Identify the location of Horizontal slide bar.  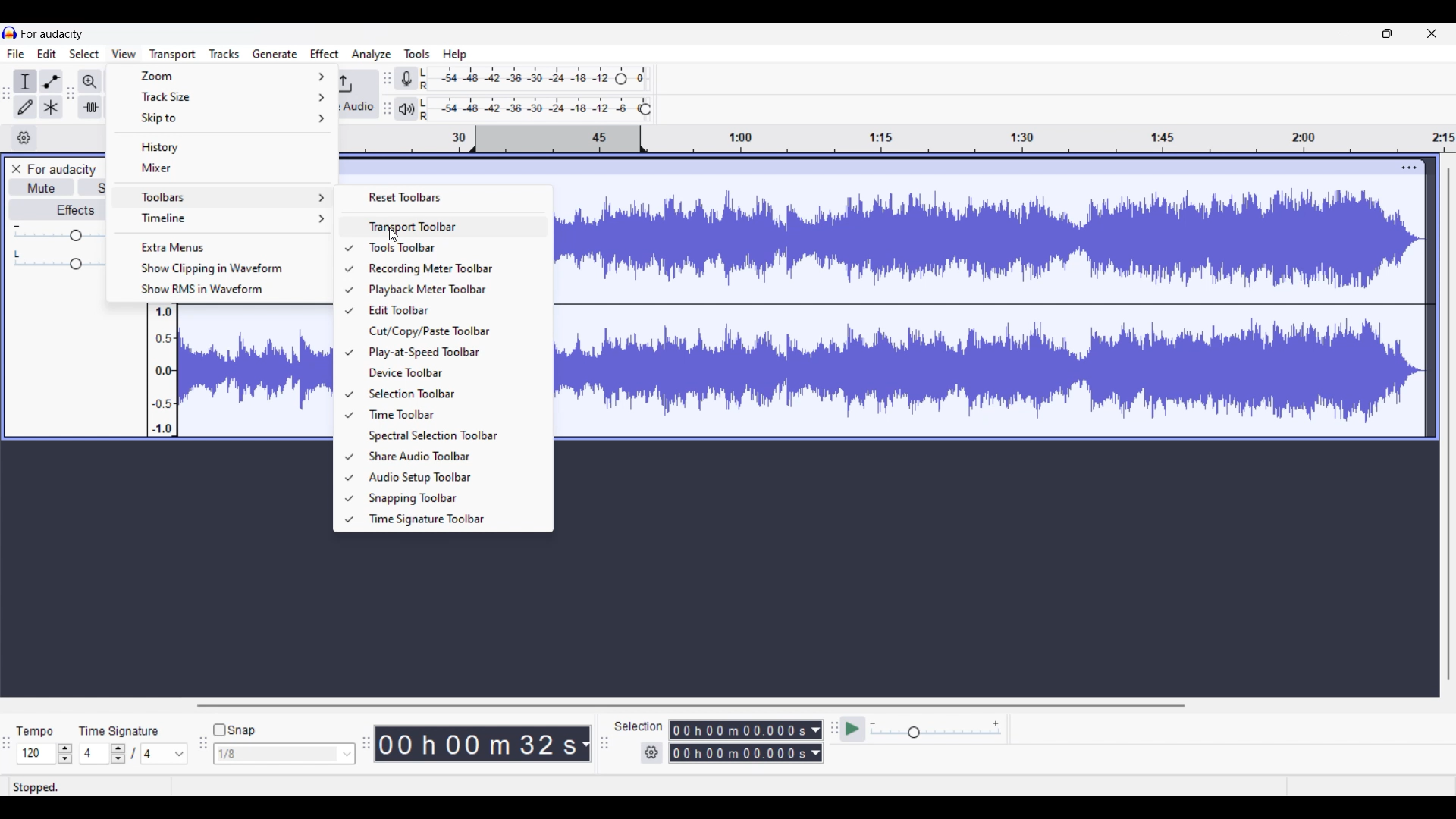
(688, 705).